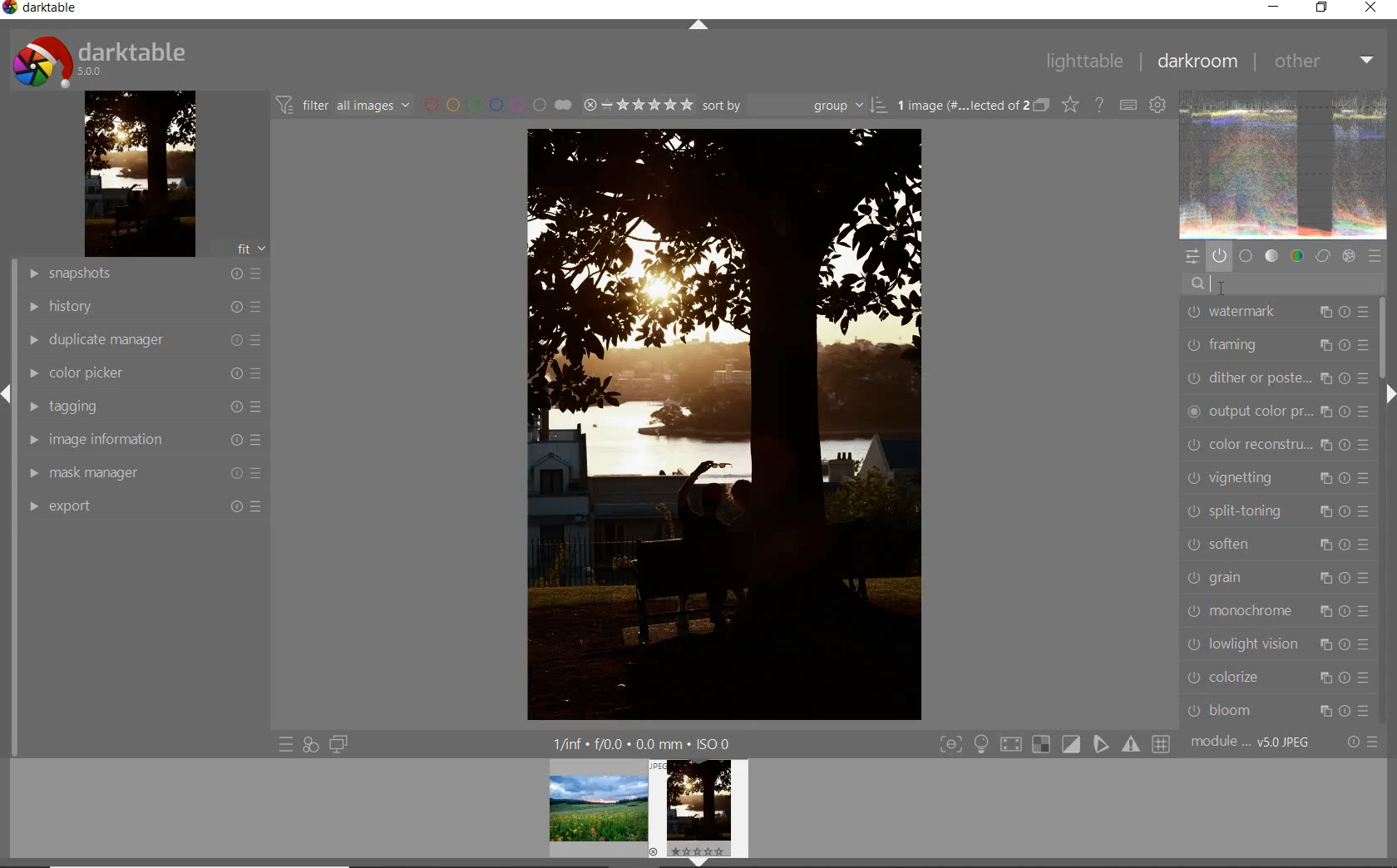 The width and height of the screenshot is (1397, 868). What do you see at coordinates (140, 372) in the screenshot?
I see `color picker` at bounding box center [140, 372].